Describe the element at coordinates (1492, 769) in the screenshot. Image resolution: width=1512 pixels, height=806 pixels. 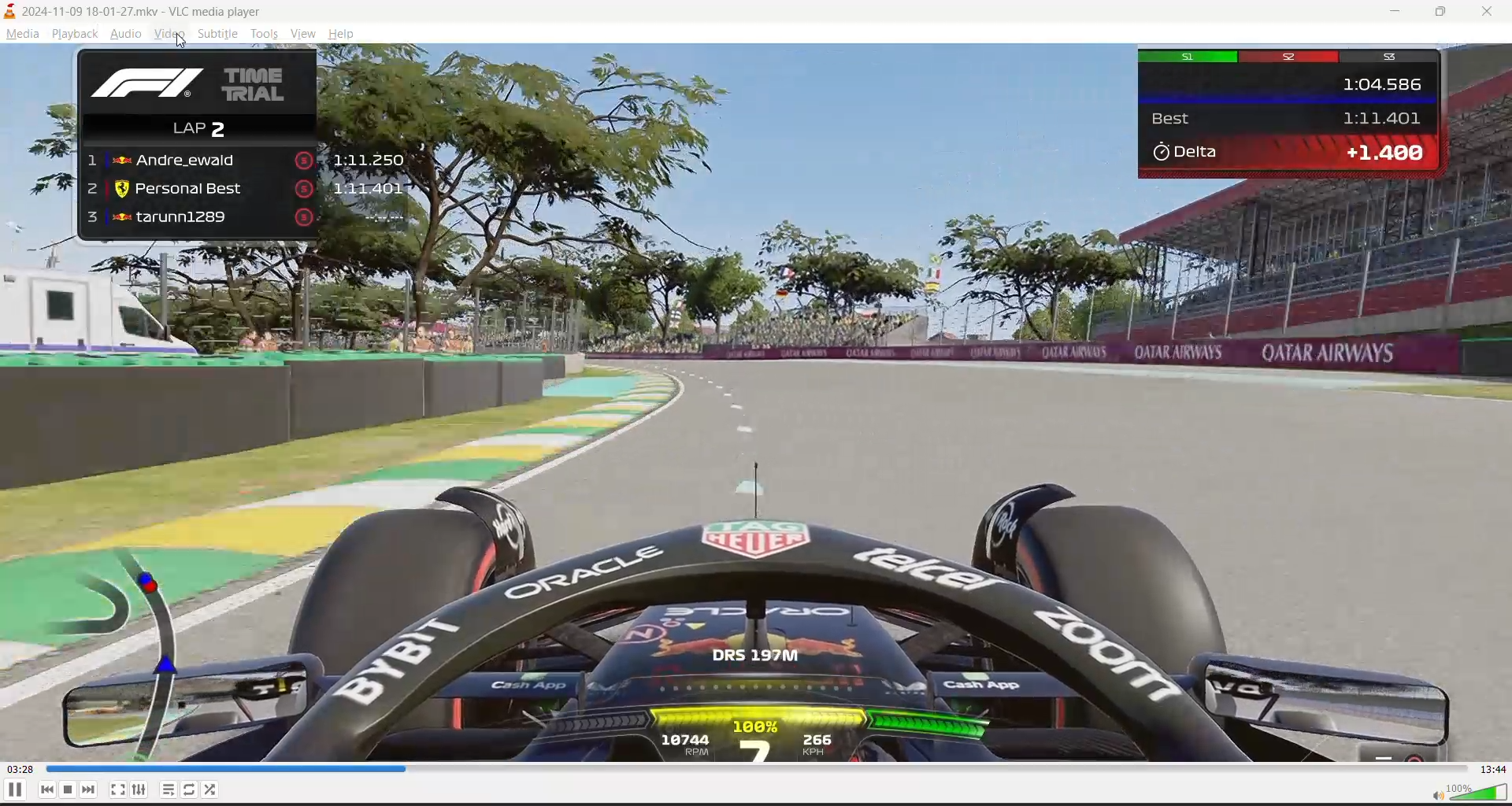
I see `total run time` at that location.